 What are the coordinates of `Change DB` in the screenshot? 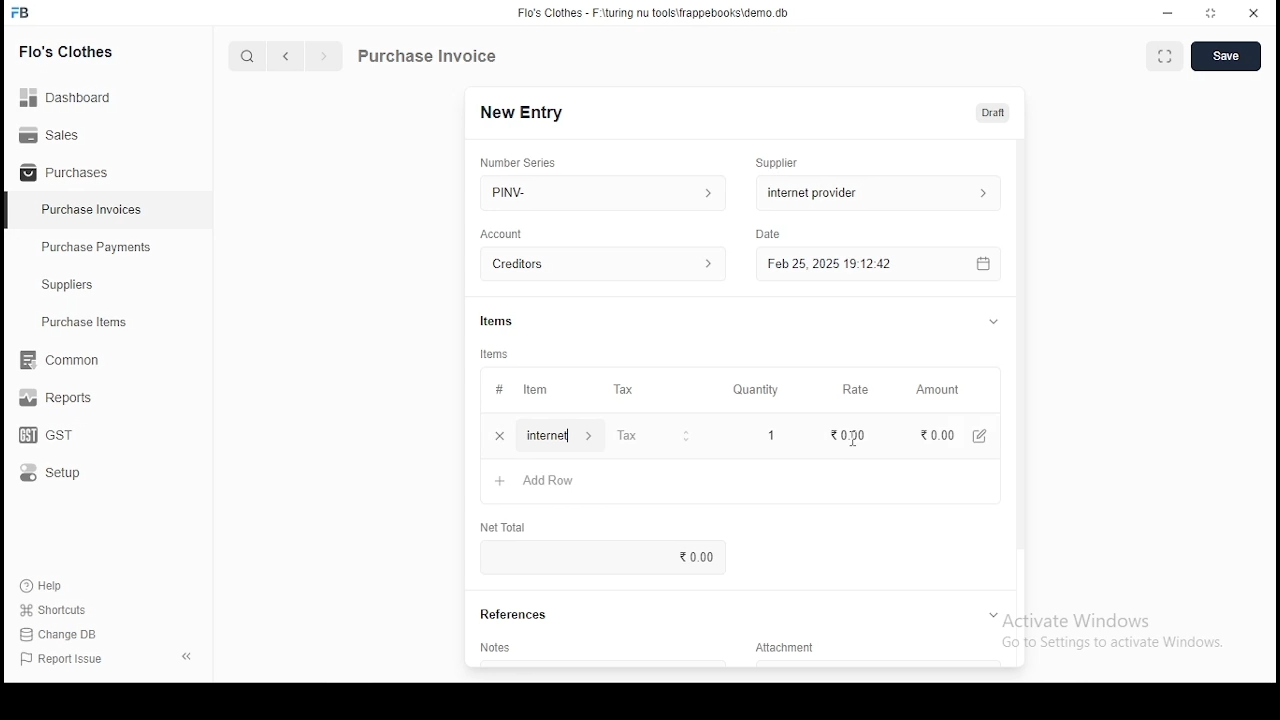 It's located at (65, 635).